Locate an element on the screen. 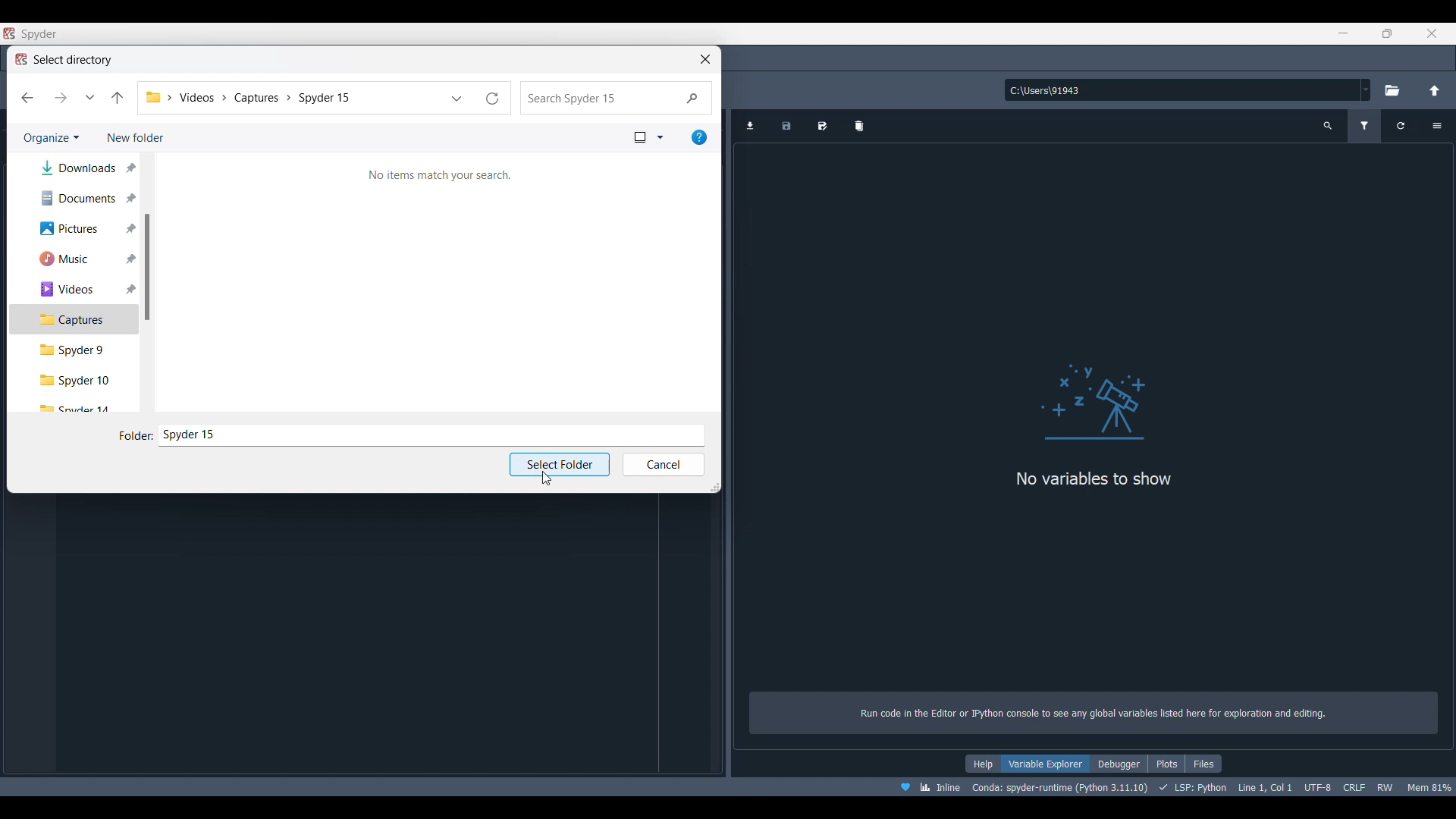 The height and width of the screenshot is (819, 1456). Search variable by names and types is located at coordinates (1329, 127).